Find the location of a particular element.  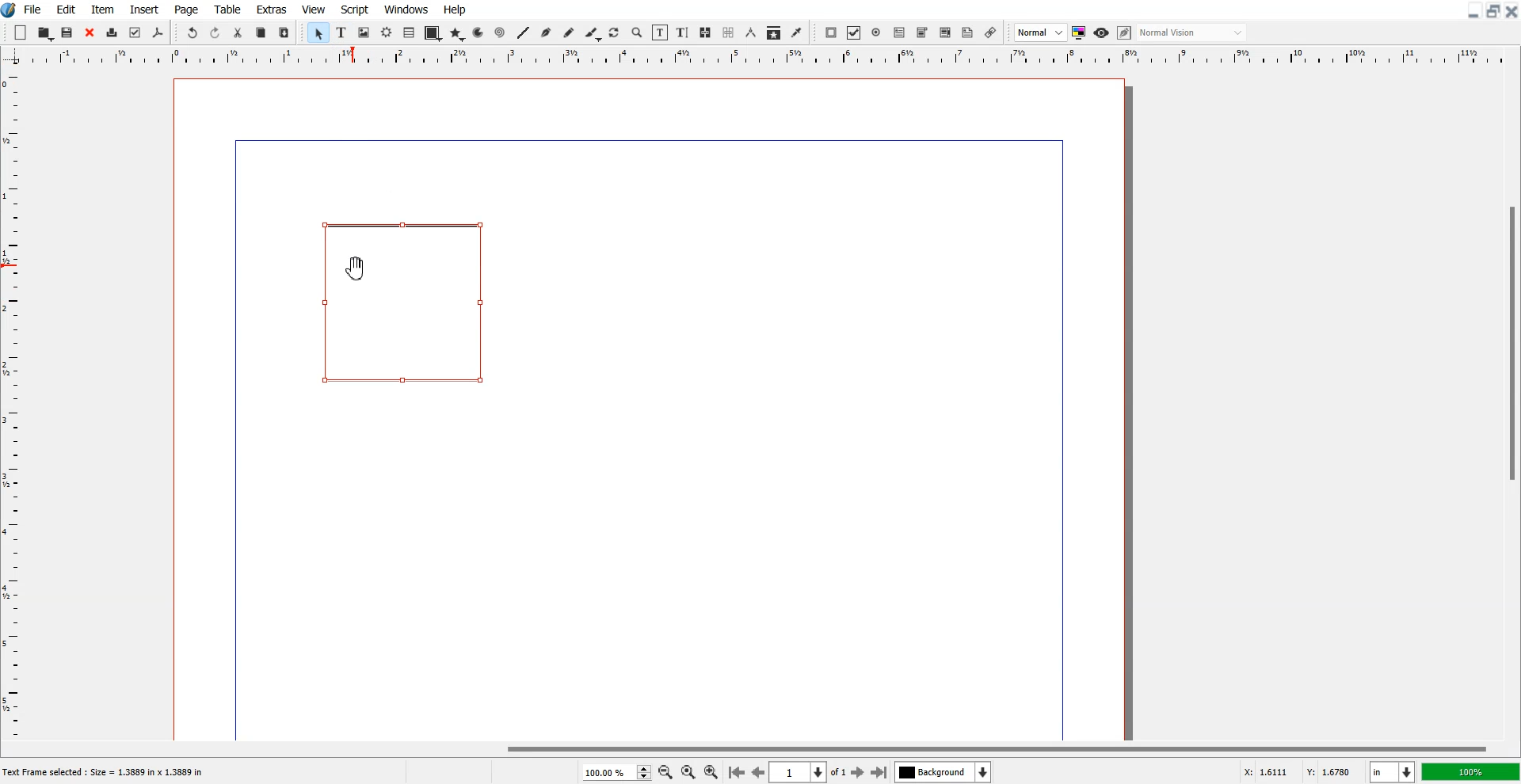

Text Frame is located at coordinates (342, 32).